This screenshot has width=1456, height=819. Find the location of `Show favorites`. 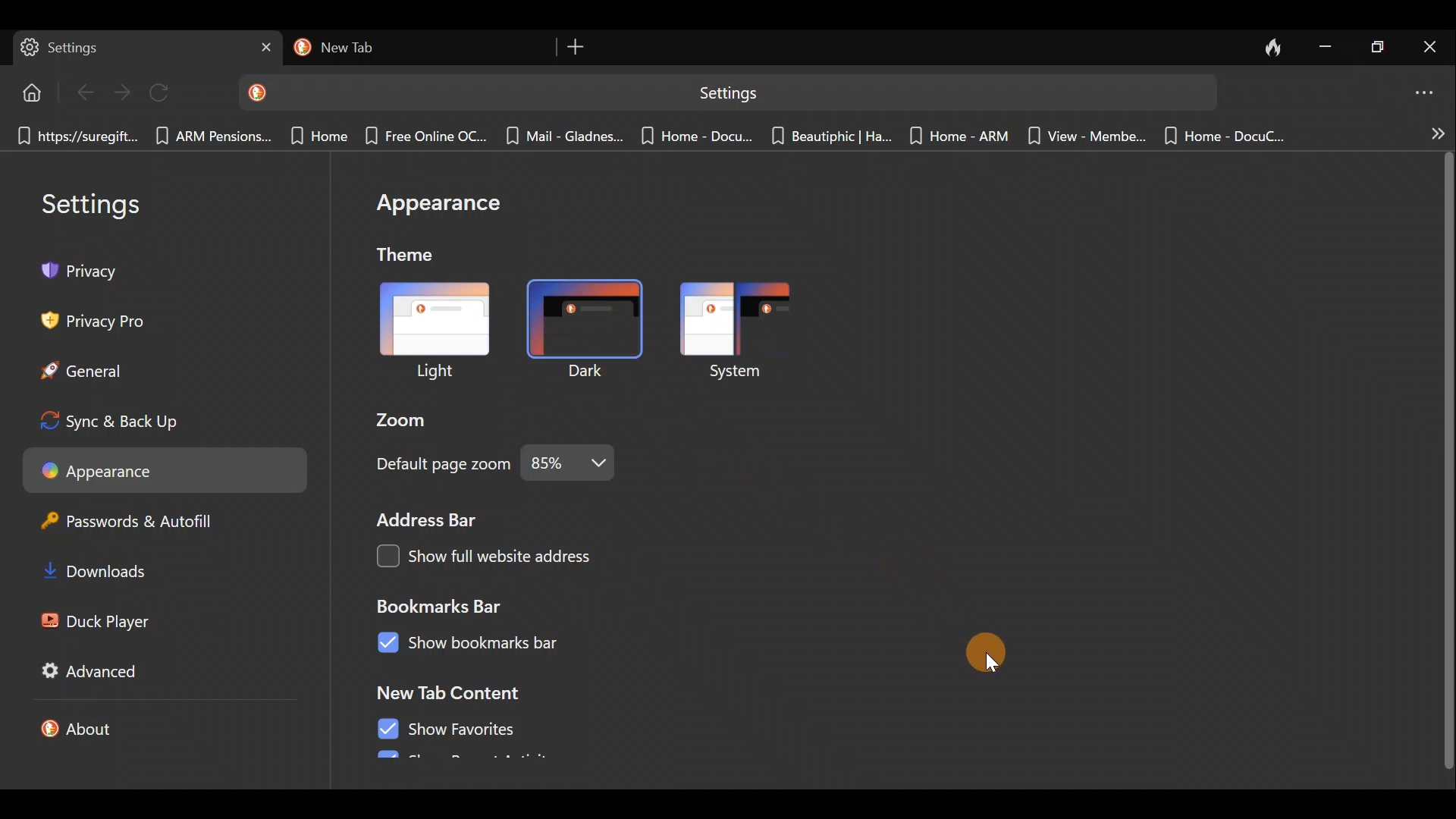

Show favorites is located at coordinates (449, 729).